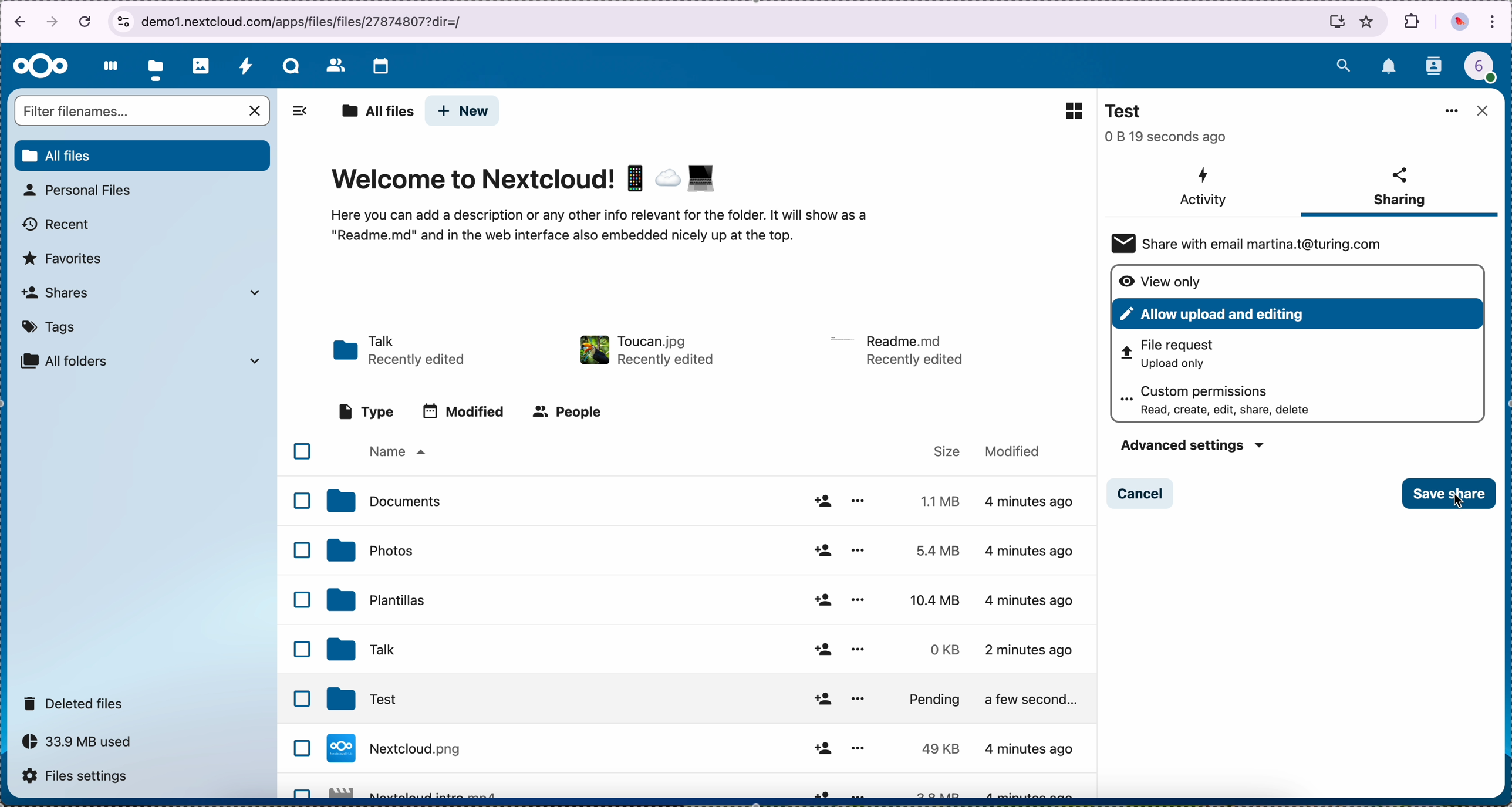  What do you see at coordinates (645, 347) in the screenshot?
I see `toucan file` at bounding box center [645, 347].